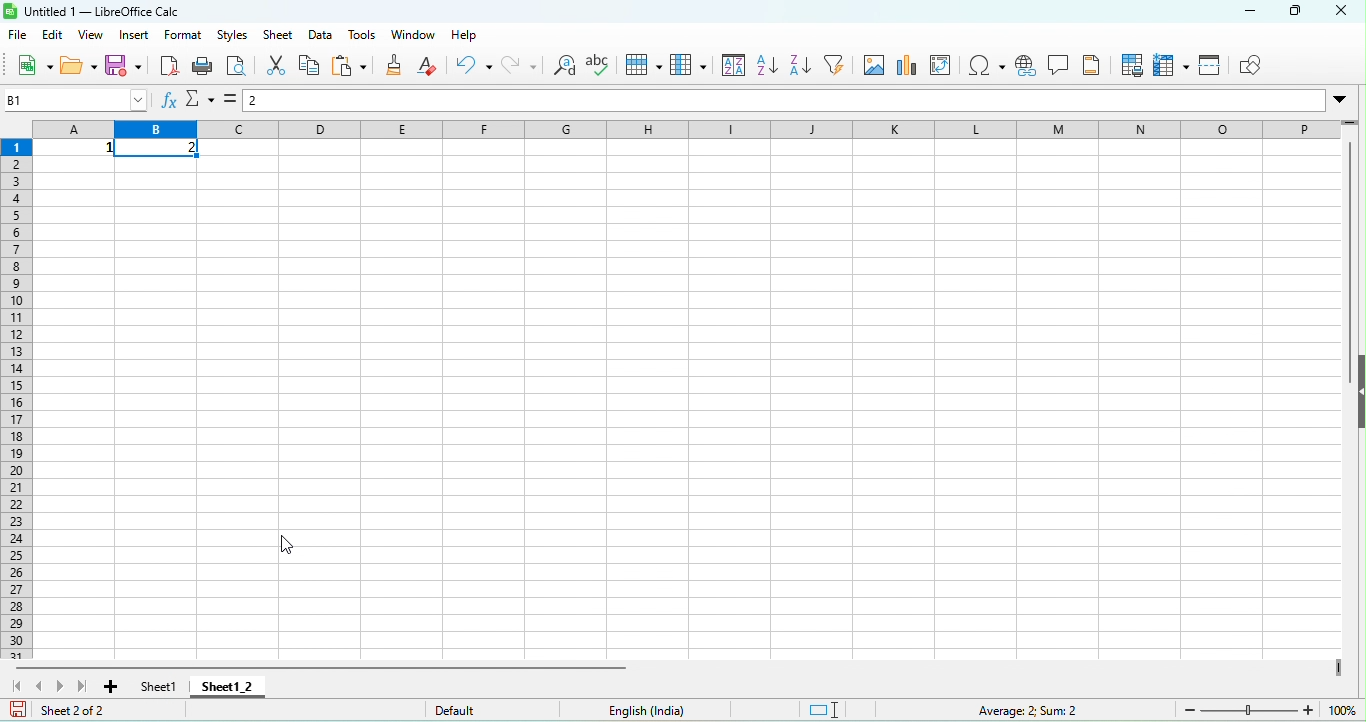  I want to click on show draw function, so click(1258, 65).